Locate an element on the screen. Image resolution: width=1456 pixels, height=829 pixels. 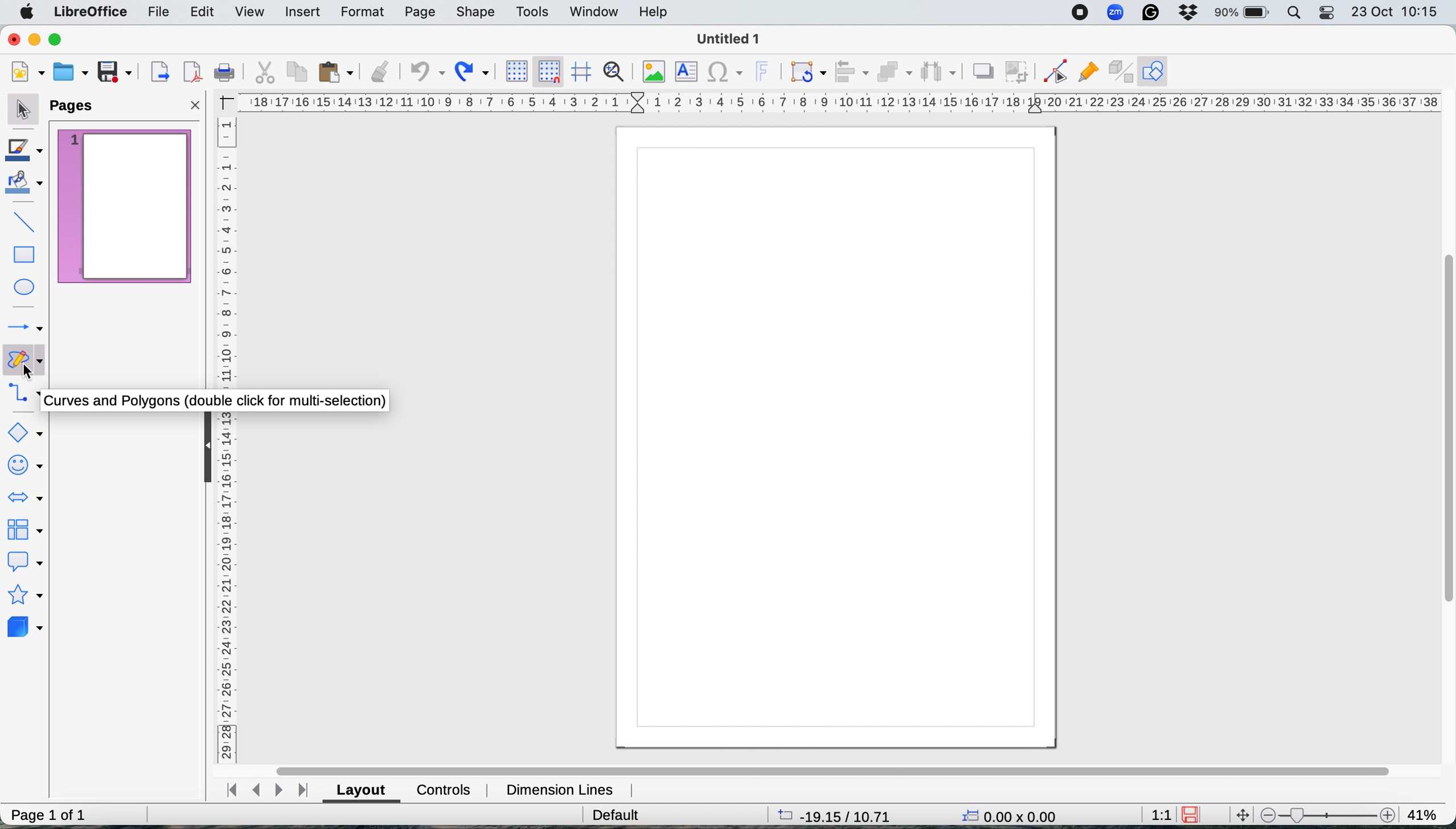
basic shapes is located at coordinates (25, 433).